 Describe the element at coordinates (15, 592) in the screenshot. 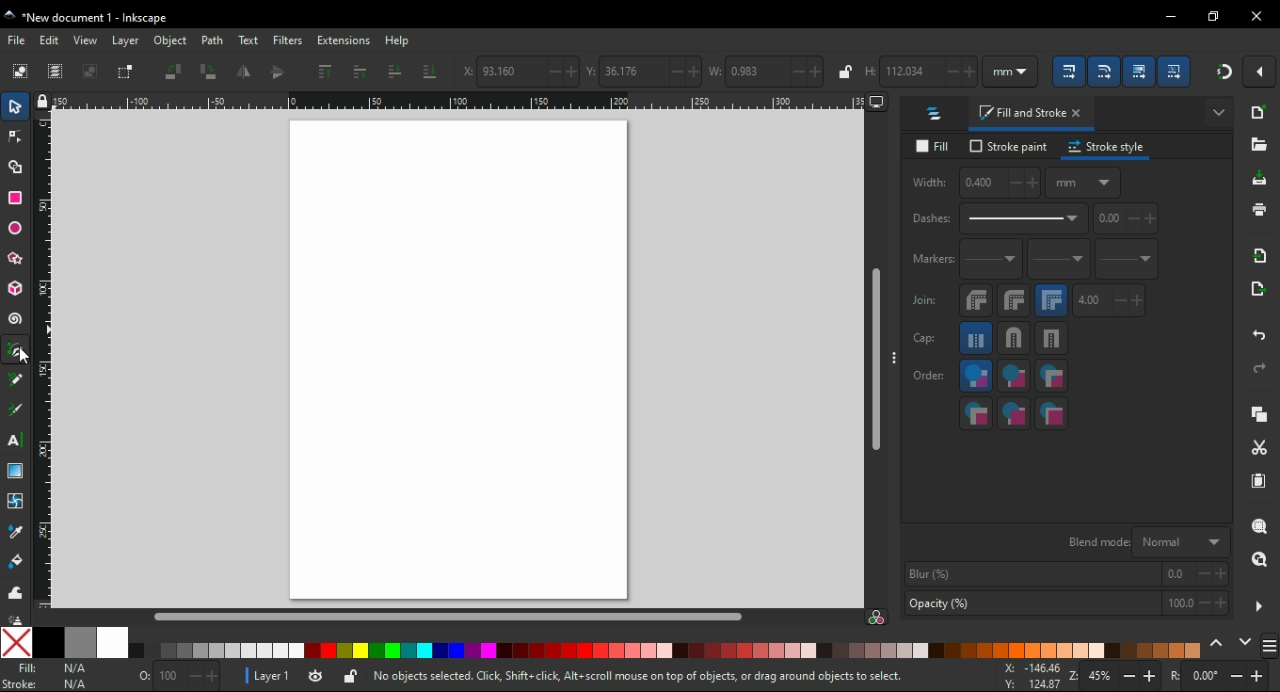

I see `tweak tool` at that location.